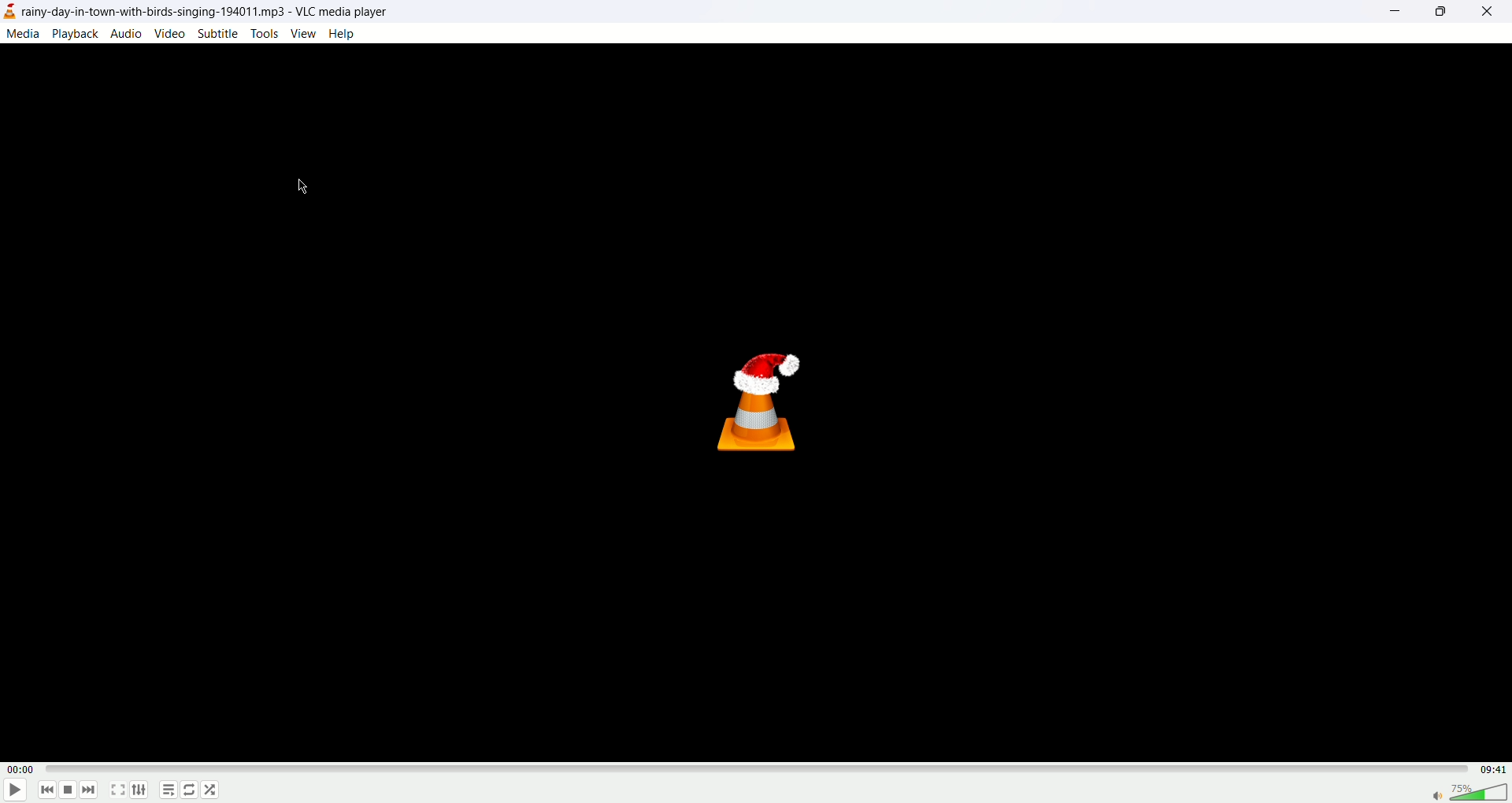 The width and height of the screenshot is (1512, 803). What do you see at coordinates (169, 33) in the screenshot?
I see `video` at bounding box center [169, 33].